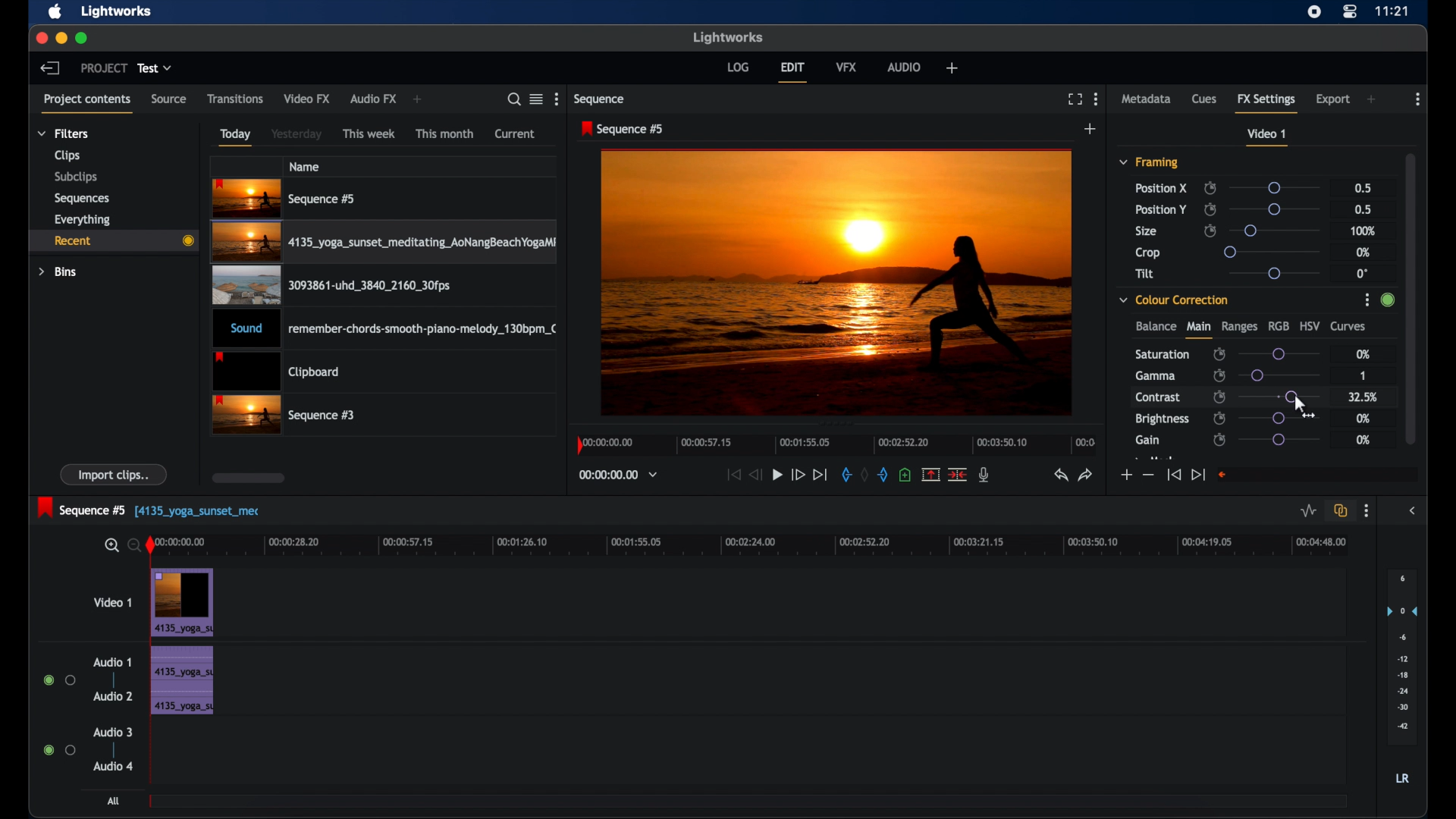 This screenshot has height=819, width=1456. What do you see at coordinates (444, 133) in the screenshot?
I see `this month` at bounding box center [444, 133].